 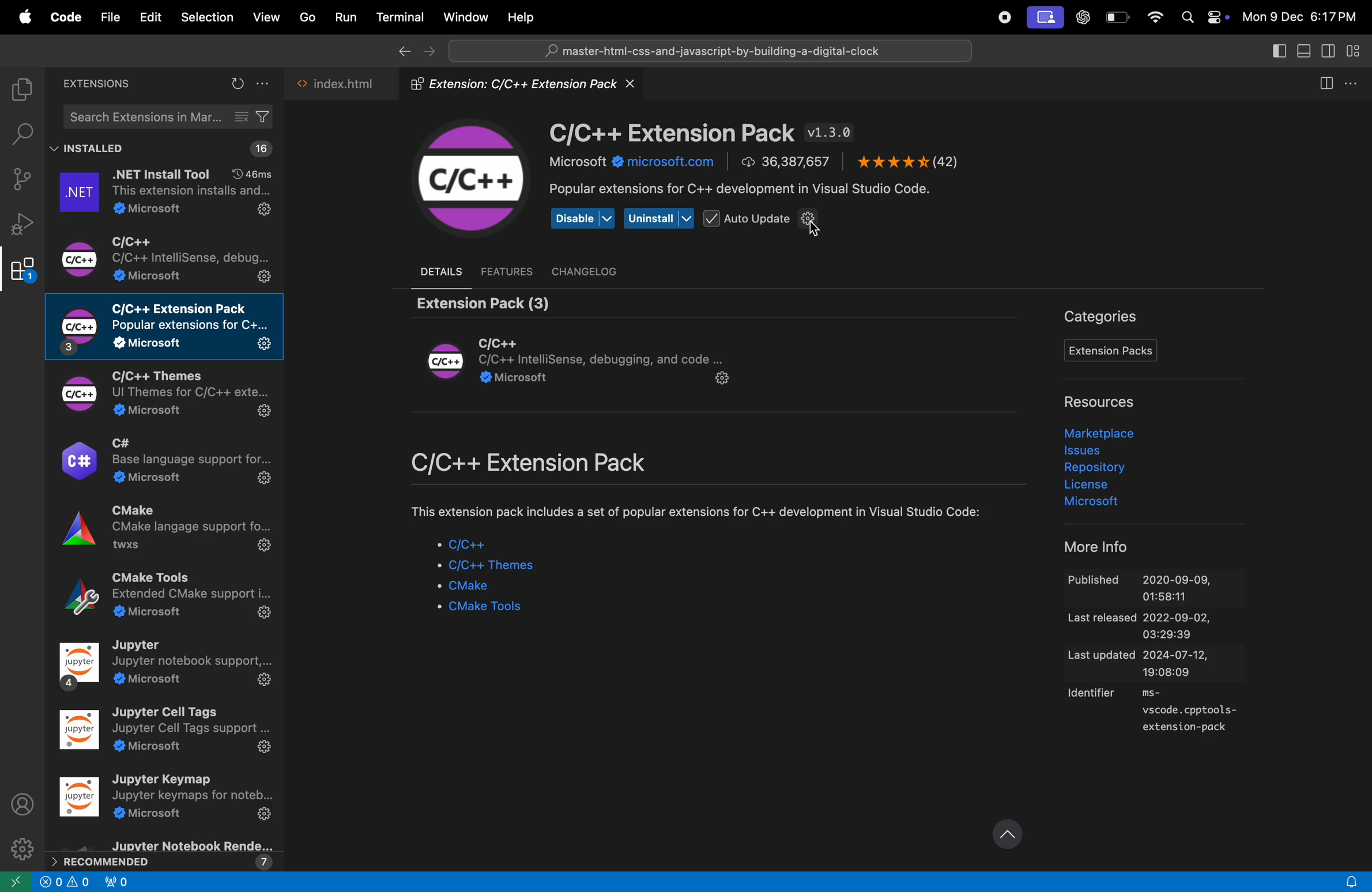 What do you see at coordinates (1301, 17) in the screenshot?
I see `date and time` at bounding box center [1301, 17].